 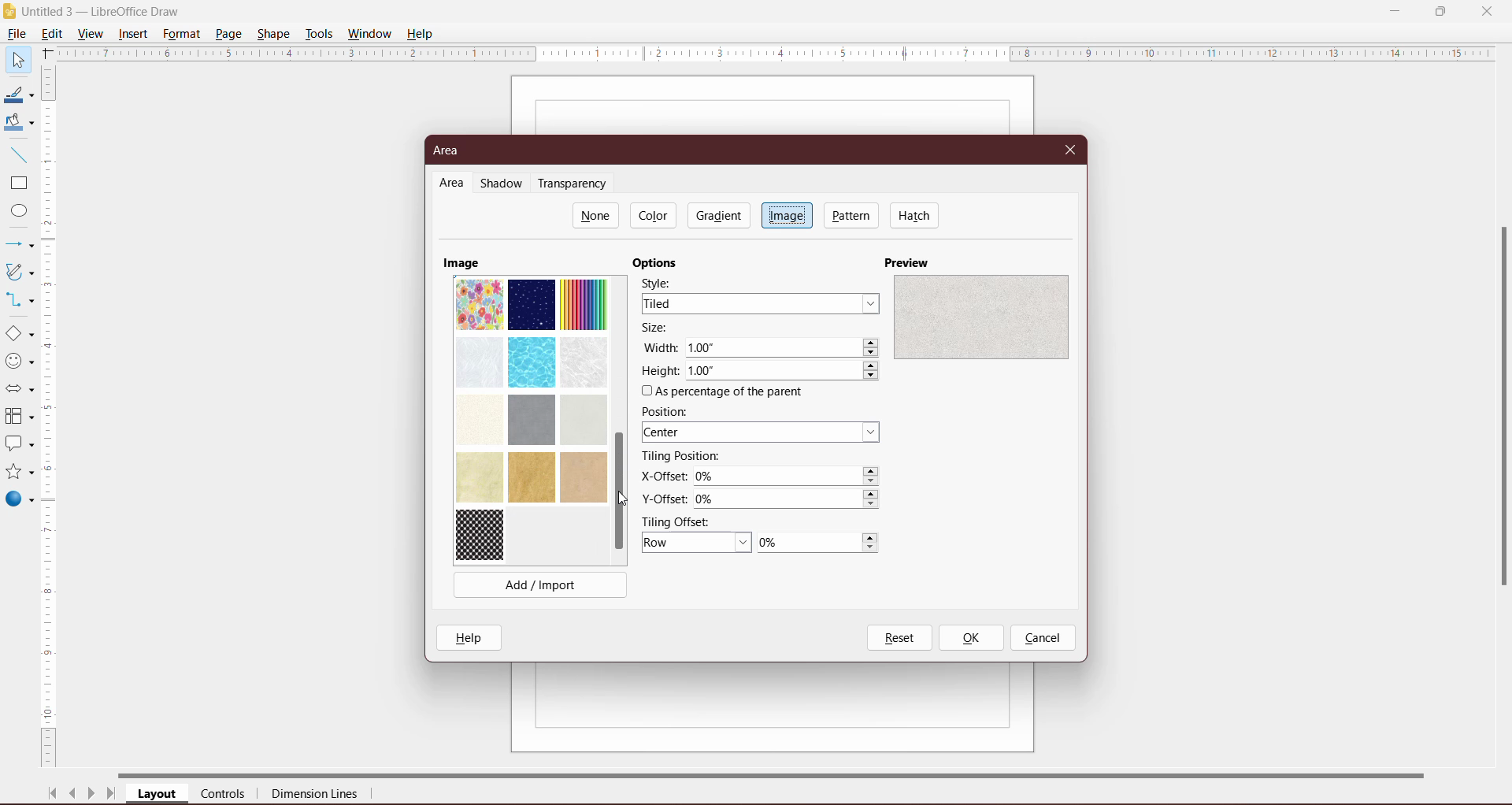 I want to click on Select required style, so click(x=760, y=303).